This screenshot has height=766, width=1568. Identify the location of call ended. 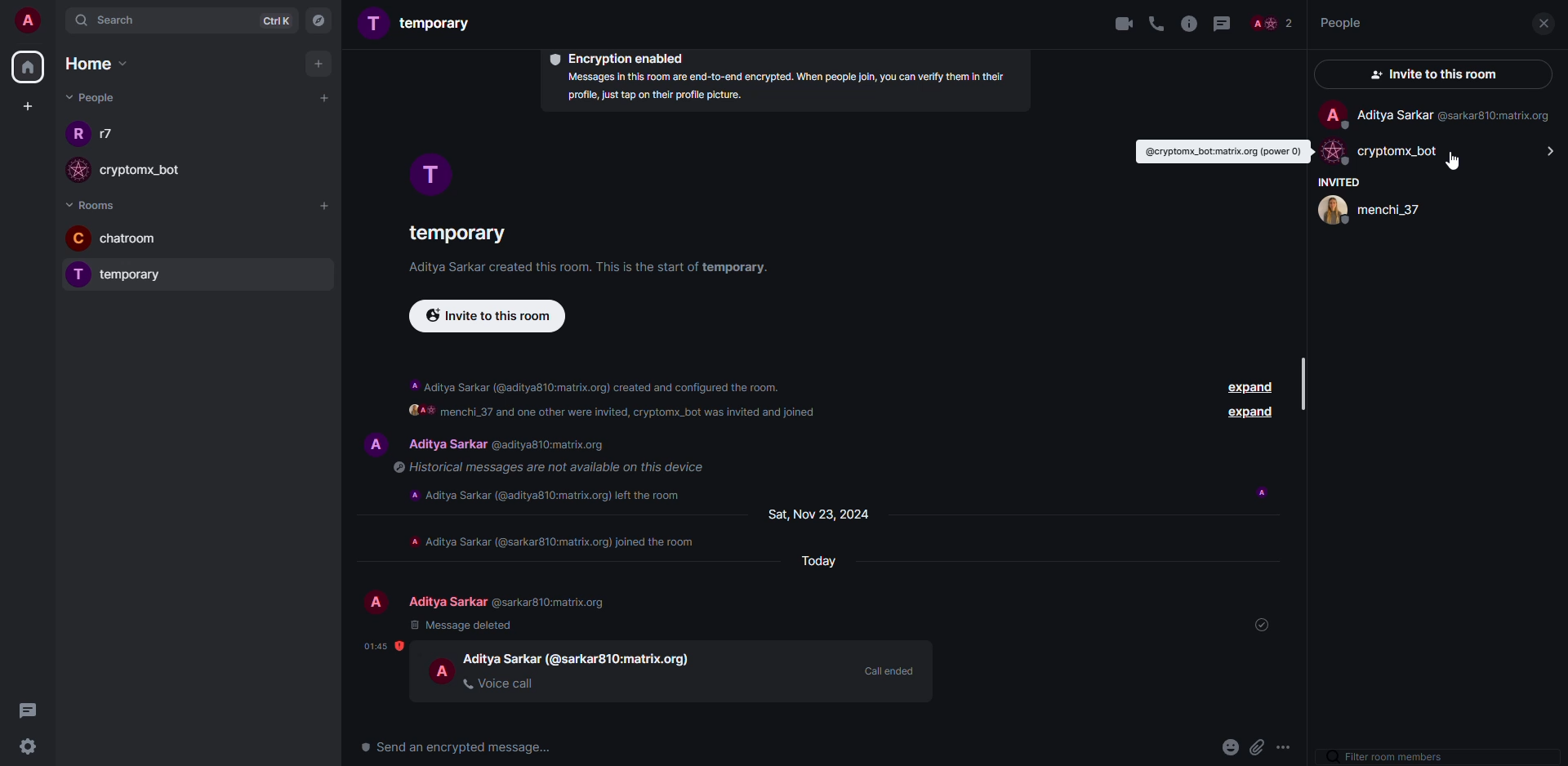
(888, 670).